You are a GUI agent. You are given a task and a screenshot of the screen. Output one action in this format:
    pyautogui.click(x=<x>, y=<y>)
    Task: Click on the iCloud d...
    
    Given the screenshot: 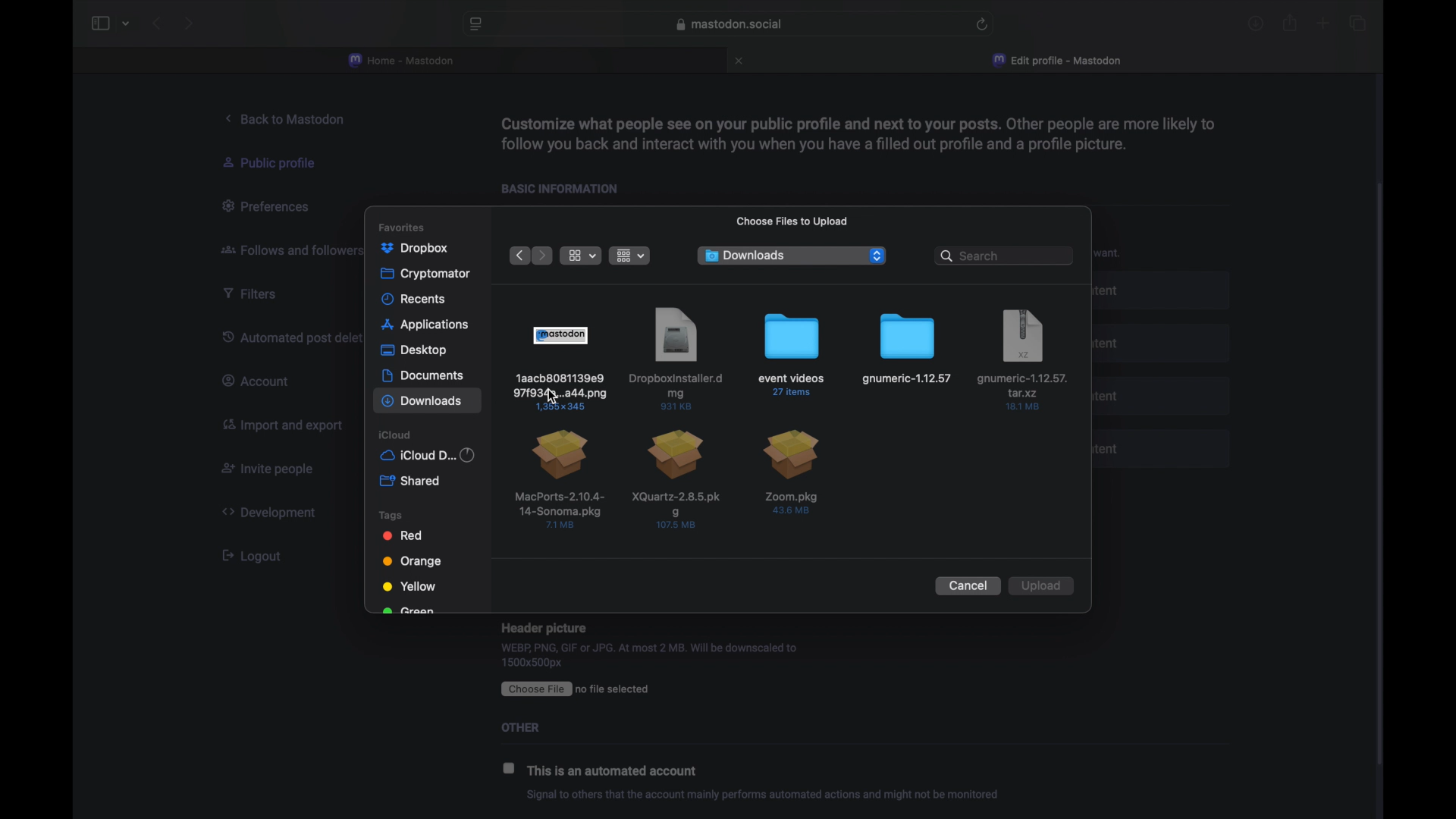 What is the action you would take?
    pyautogui.click(x=428, y=455)
    